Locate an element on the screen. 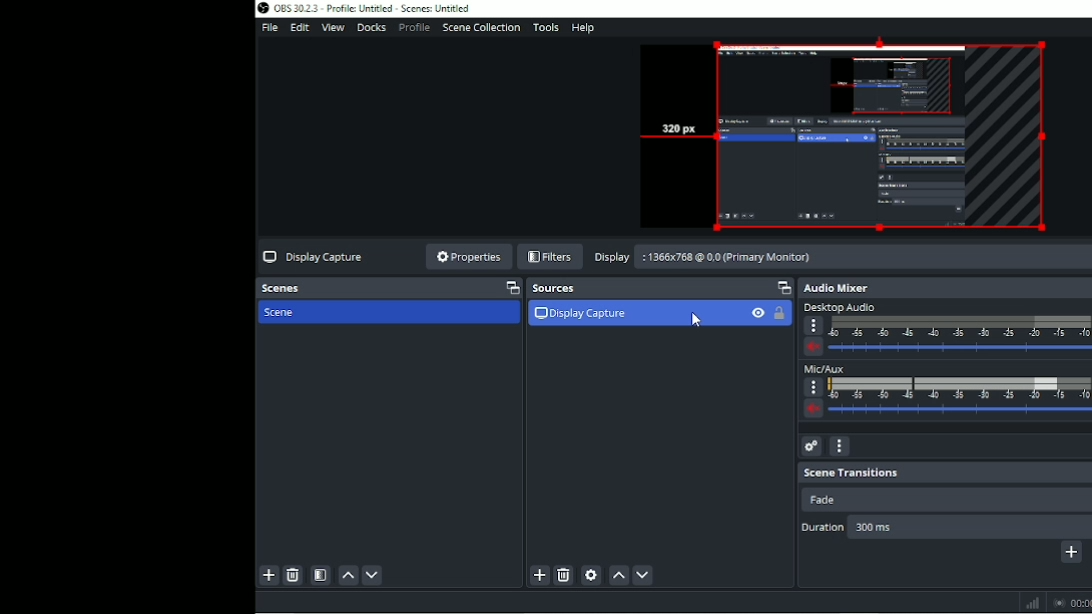 Image resolution: width=1092 pixels, height=614 pixels. 320 px is located at coordinates (671, 133).